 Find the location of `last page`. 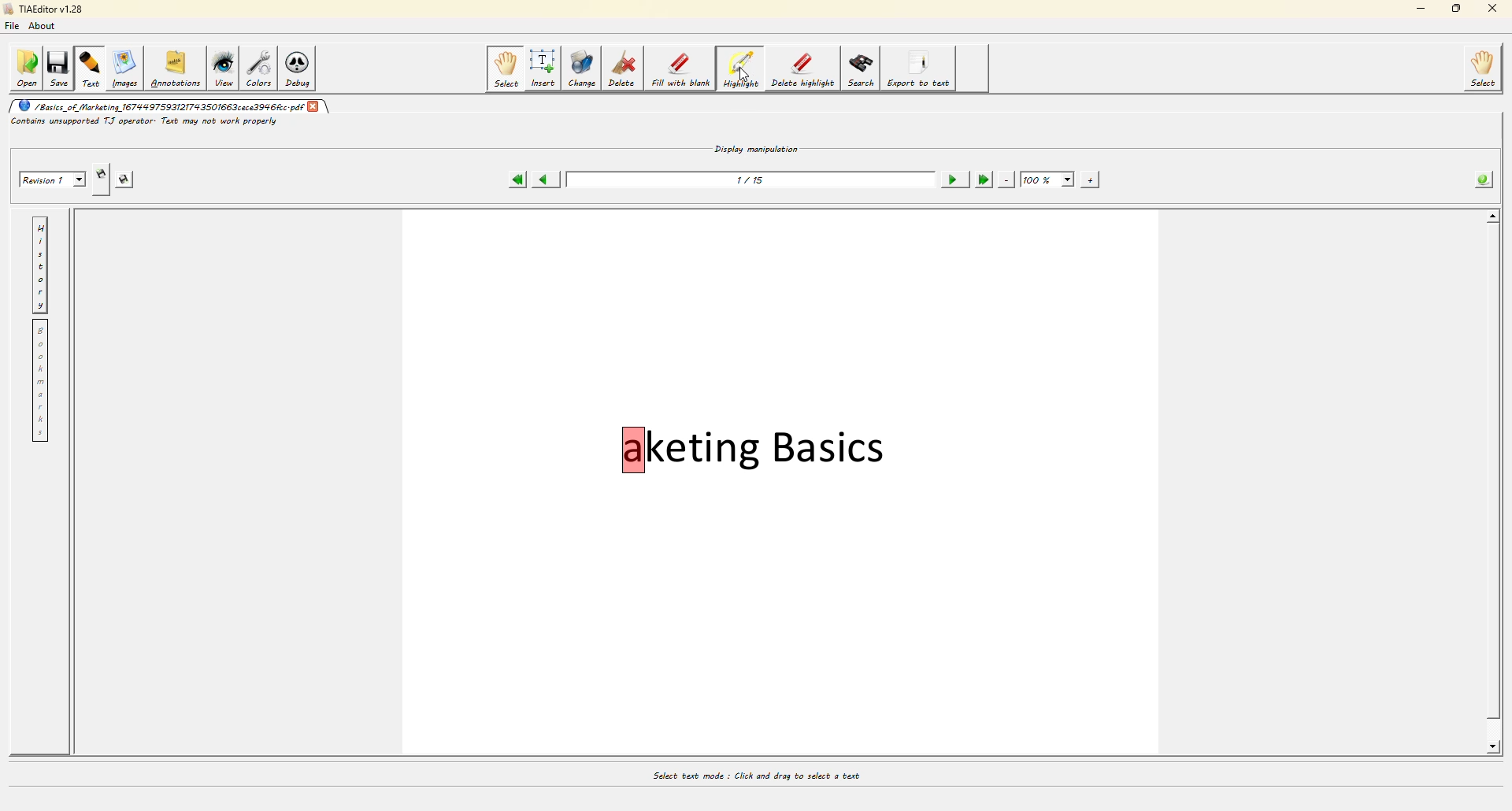

last page is located at coordinates (982, 179).